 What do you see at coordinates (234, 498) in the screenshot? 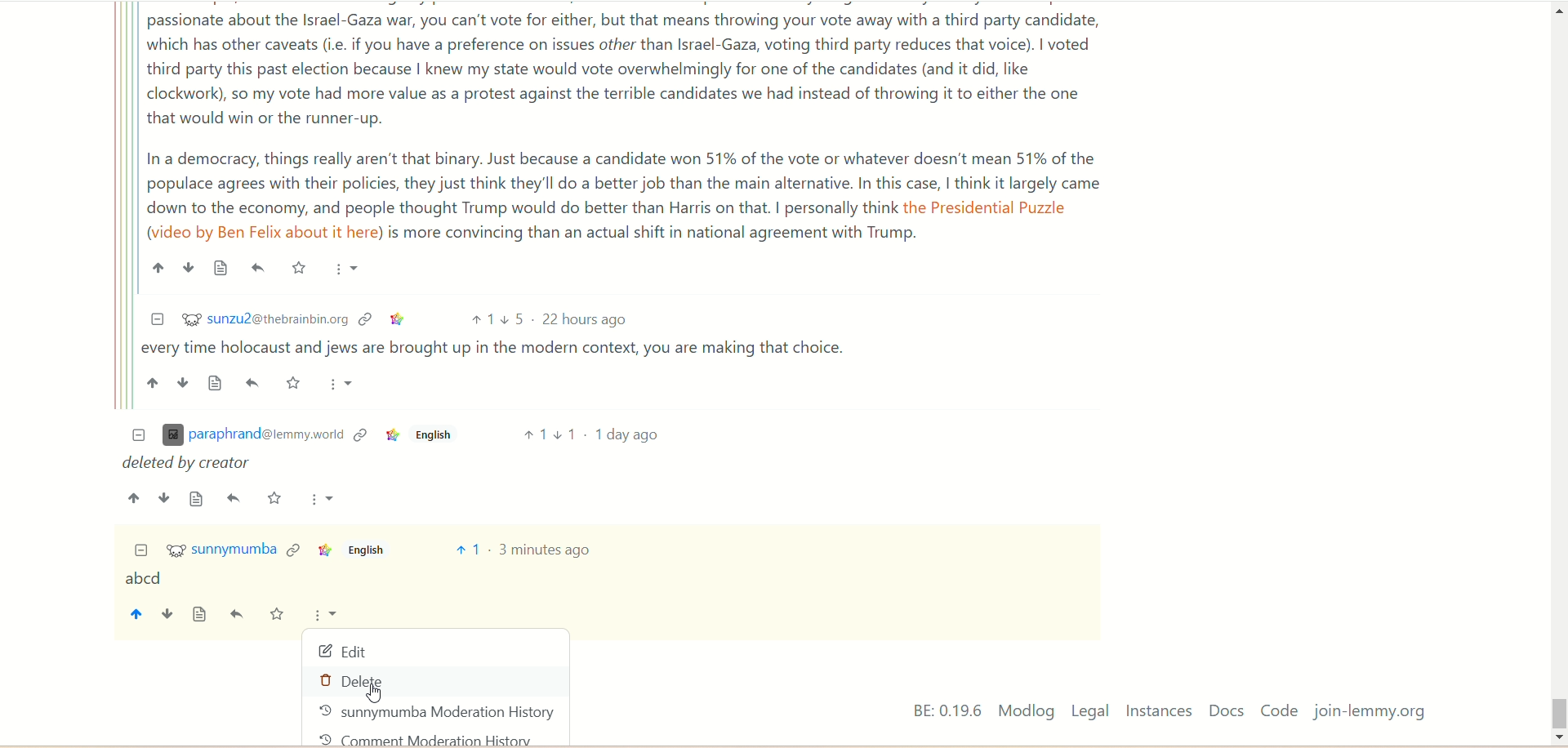
I see `Reply` at bounding box center [234, 498].